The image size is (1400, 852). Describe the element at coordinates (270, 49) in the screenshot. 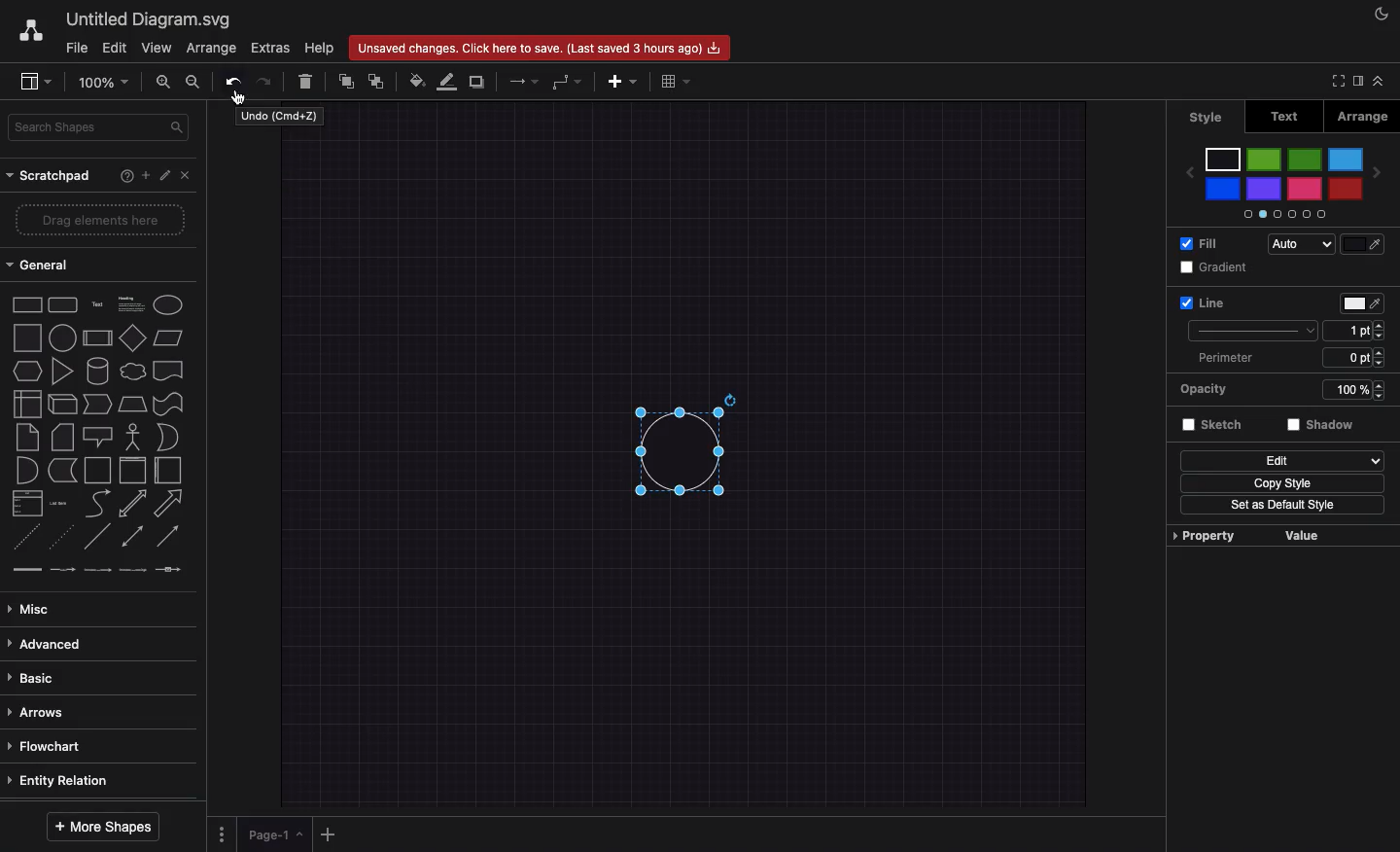

I see `Extras` at that location.